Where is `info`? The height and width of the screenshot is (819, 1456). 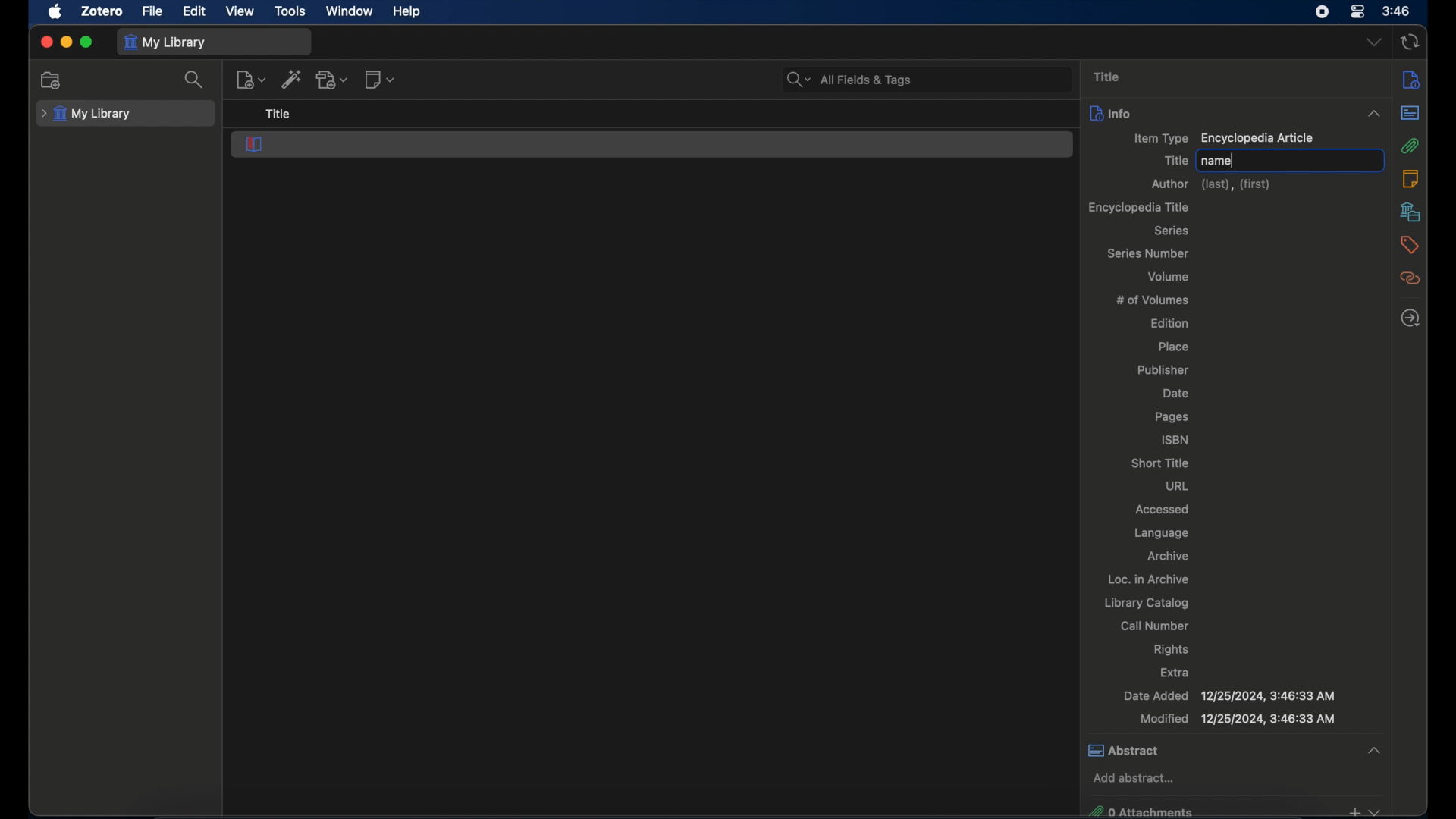 info is located at coordinates (1111, 113).